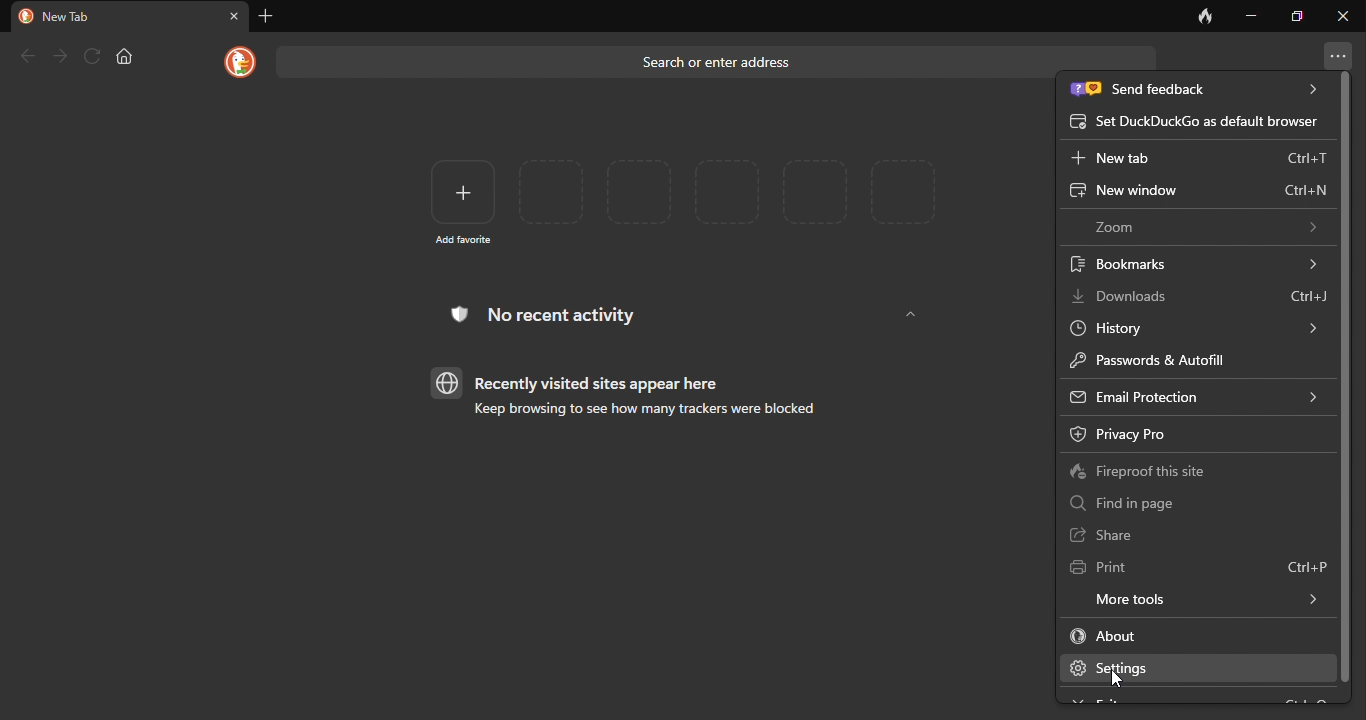 The height and width of the screenshot is (720, 1366). What do you see at coordinates (1195, 262) in the screenshot?
I see `bookmarks` at bounding box center [1195, 262].